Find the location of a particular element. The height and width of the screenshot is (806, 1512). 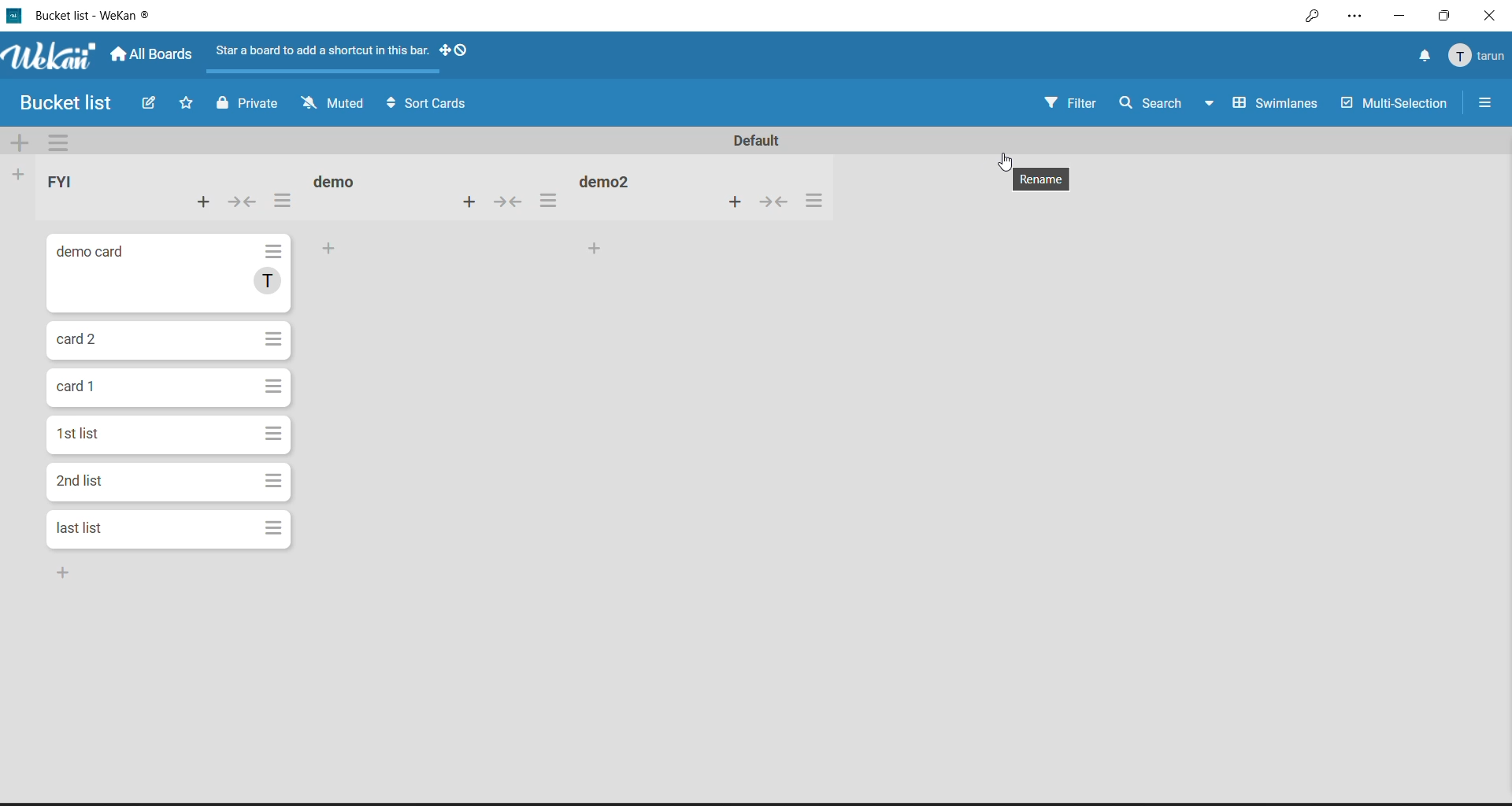

list title is located at coordinates (609, 180).